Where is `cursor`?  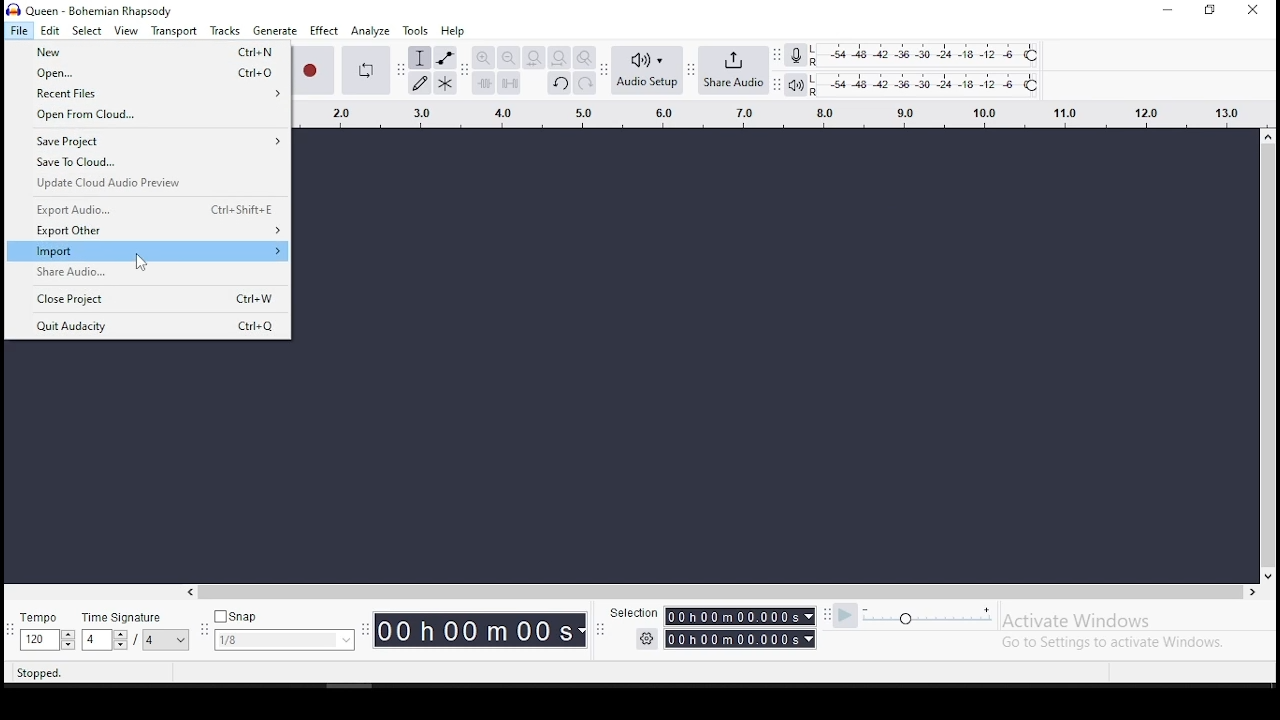 cursor is located at coordinates (140, 262).